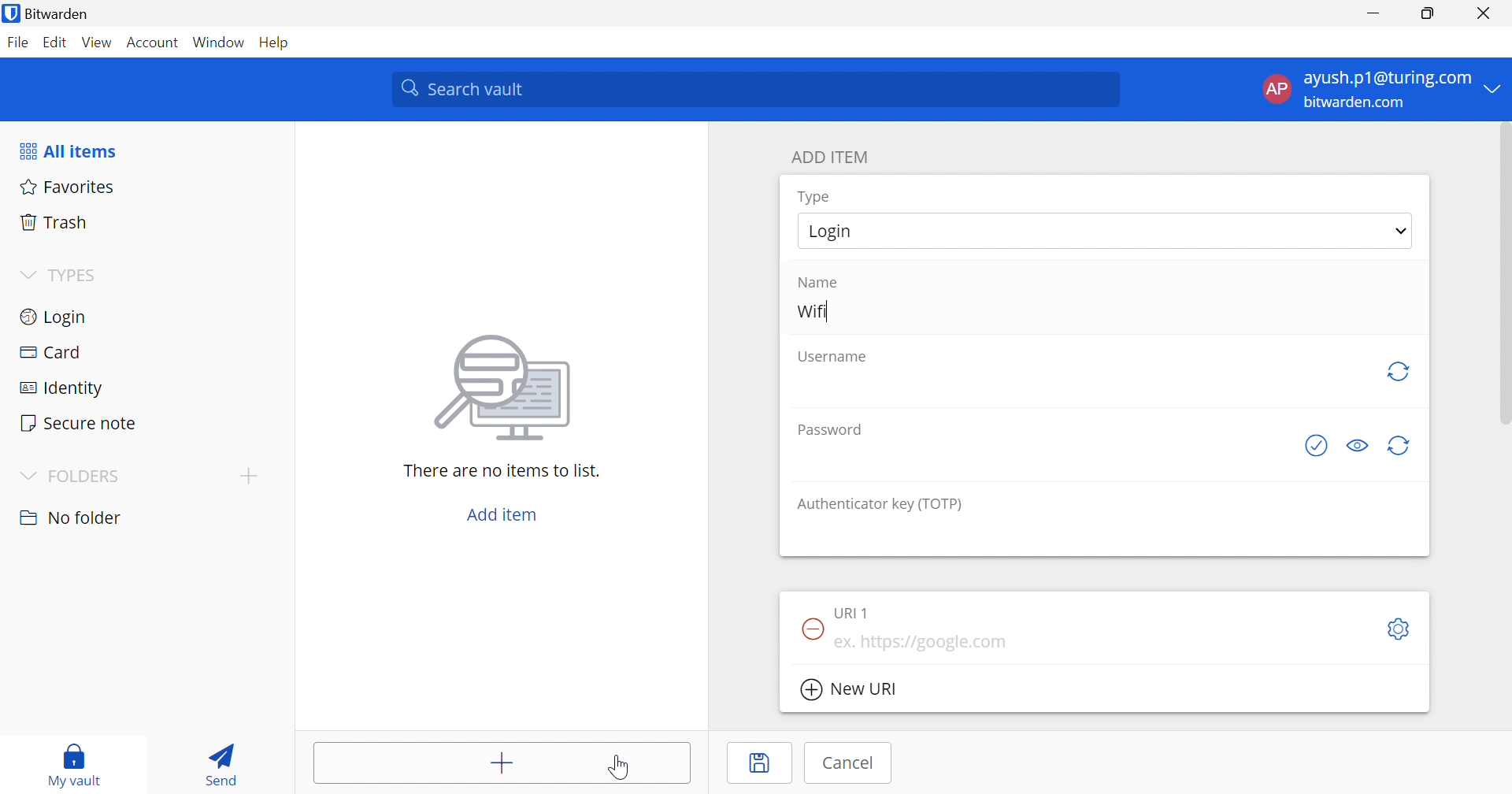 The width and height of the screenshot is (1512, 794). I want to click on Wifi, so click(811, 310).